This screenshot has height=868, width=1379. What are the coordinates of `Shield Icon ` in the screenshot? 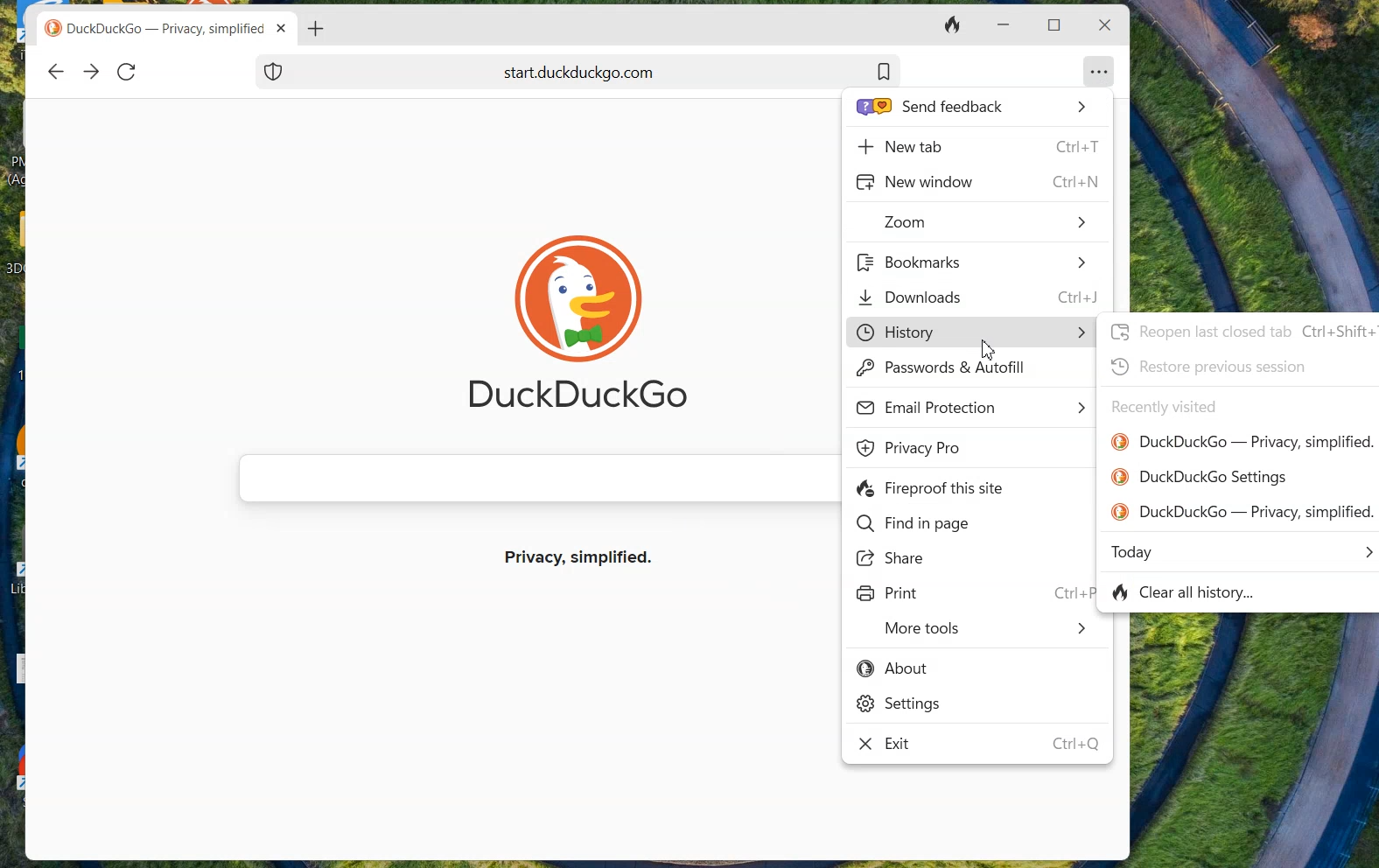 It's located at (274, 71).